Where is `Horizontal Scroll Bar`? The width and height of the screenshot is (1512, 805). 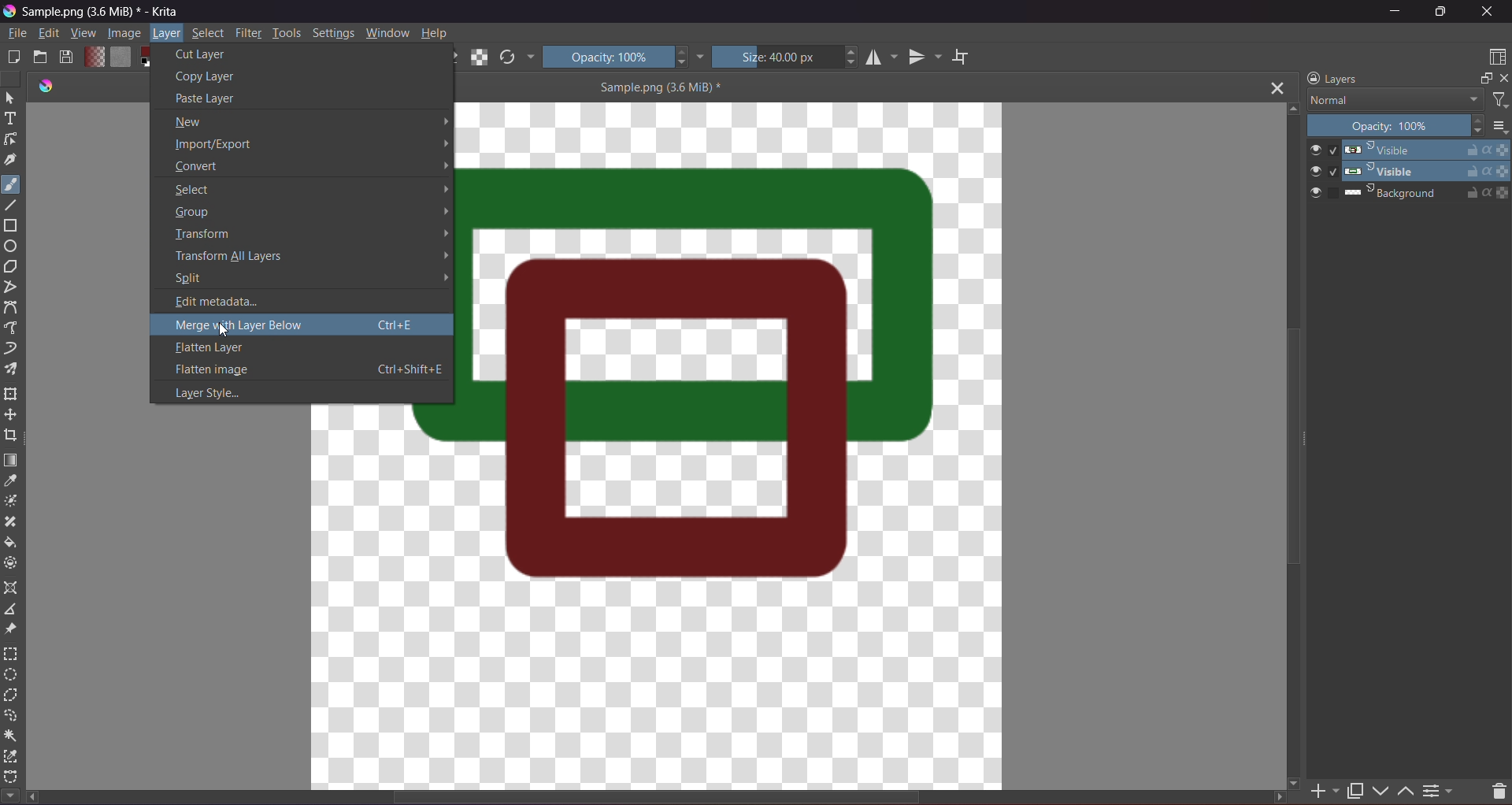
Horizontal Scroll Bar is located at coordinates (665, 799).